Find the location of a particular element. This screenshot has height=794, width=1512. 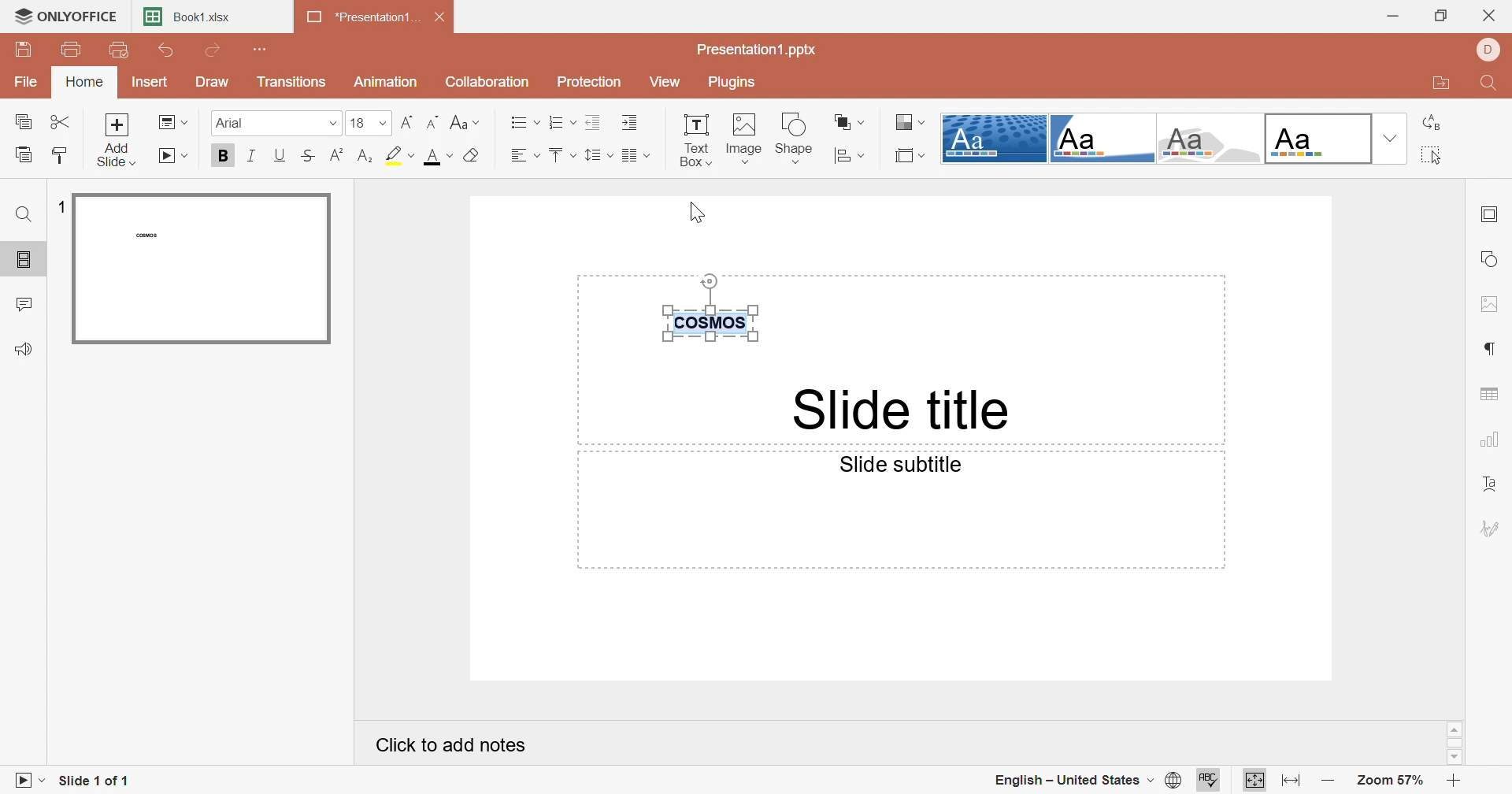

Collaboration is located at coordinates (483, 80).